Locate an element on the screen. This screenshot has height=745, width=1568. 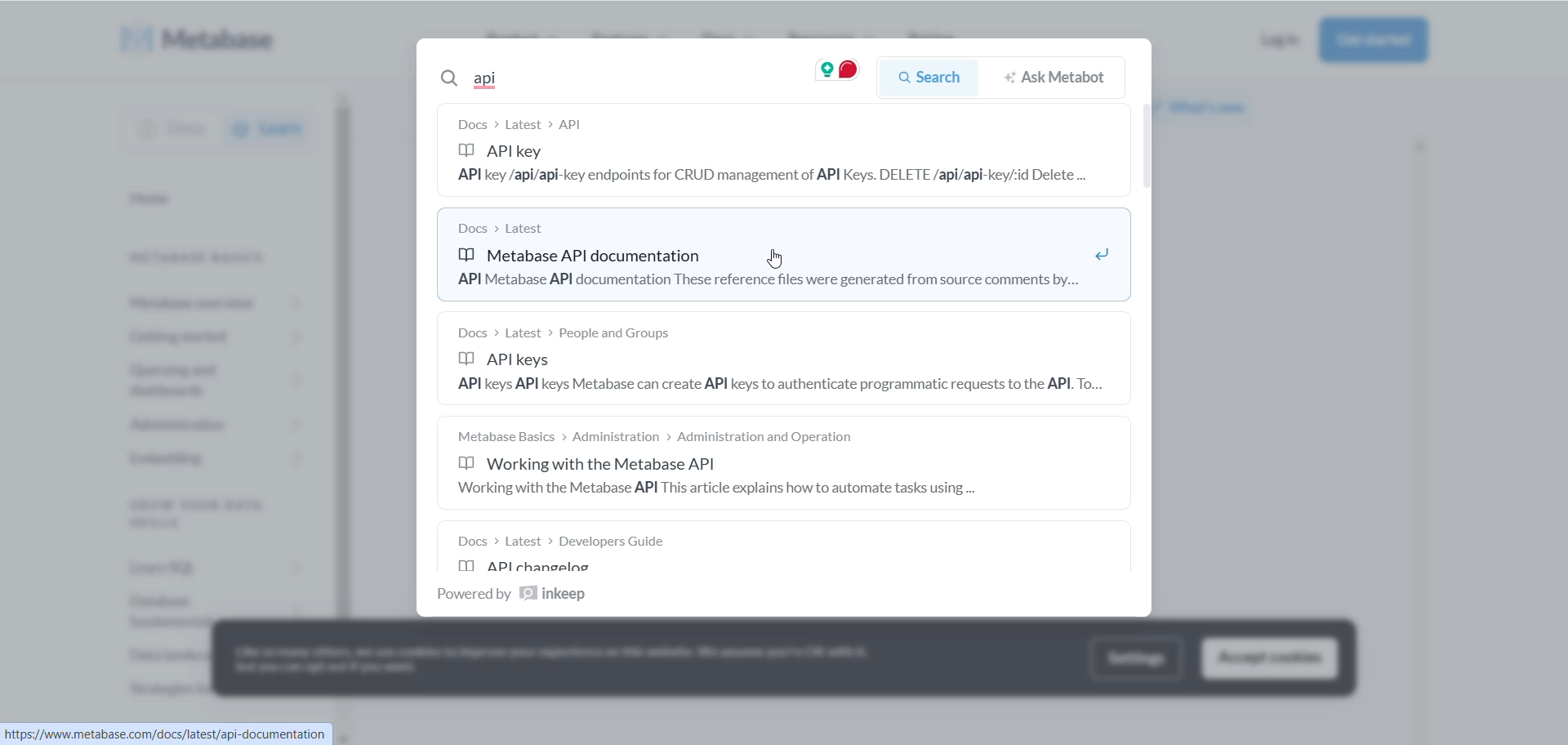
text is located at coordinates (525, 596).